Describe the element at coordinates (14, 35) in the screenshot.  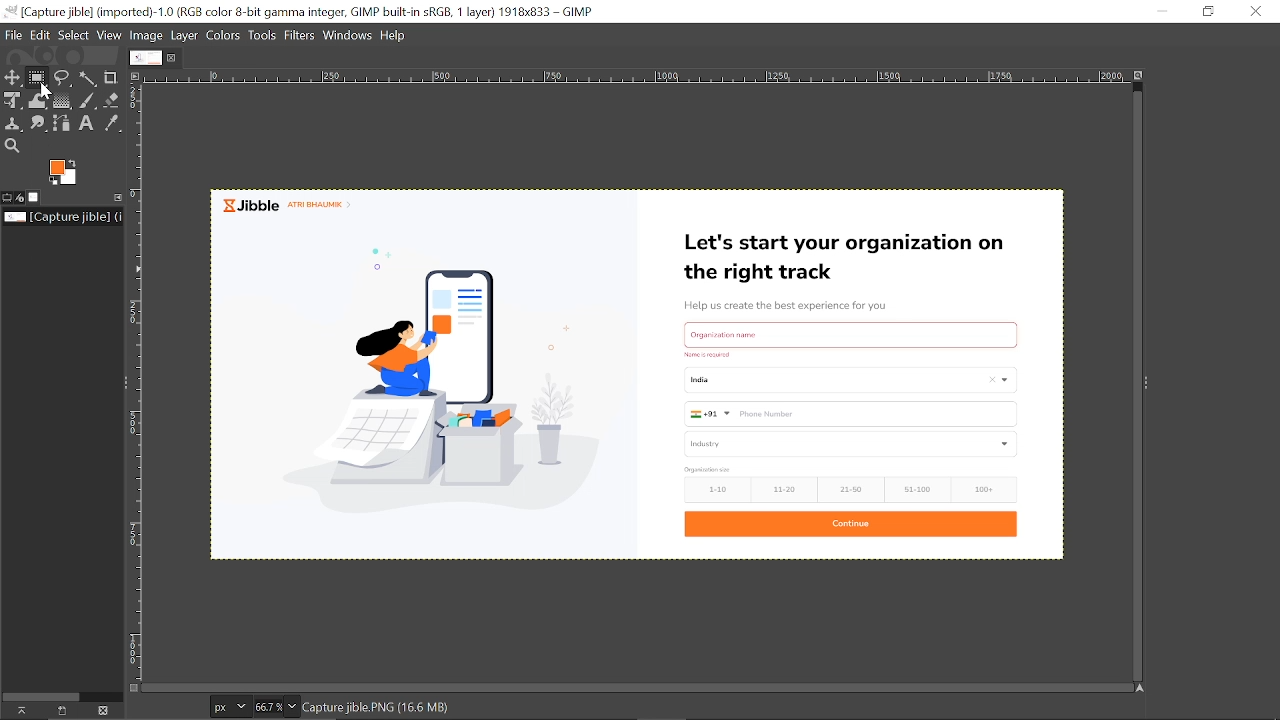
I see `File` at that location.